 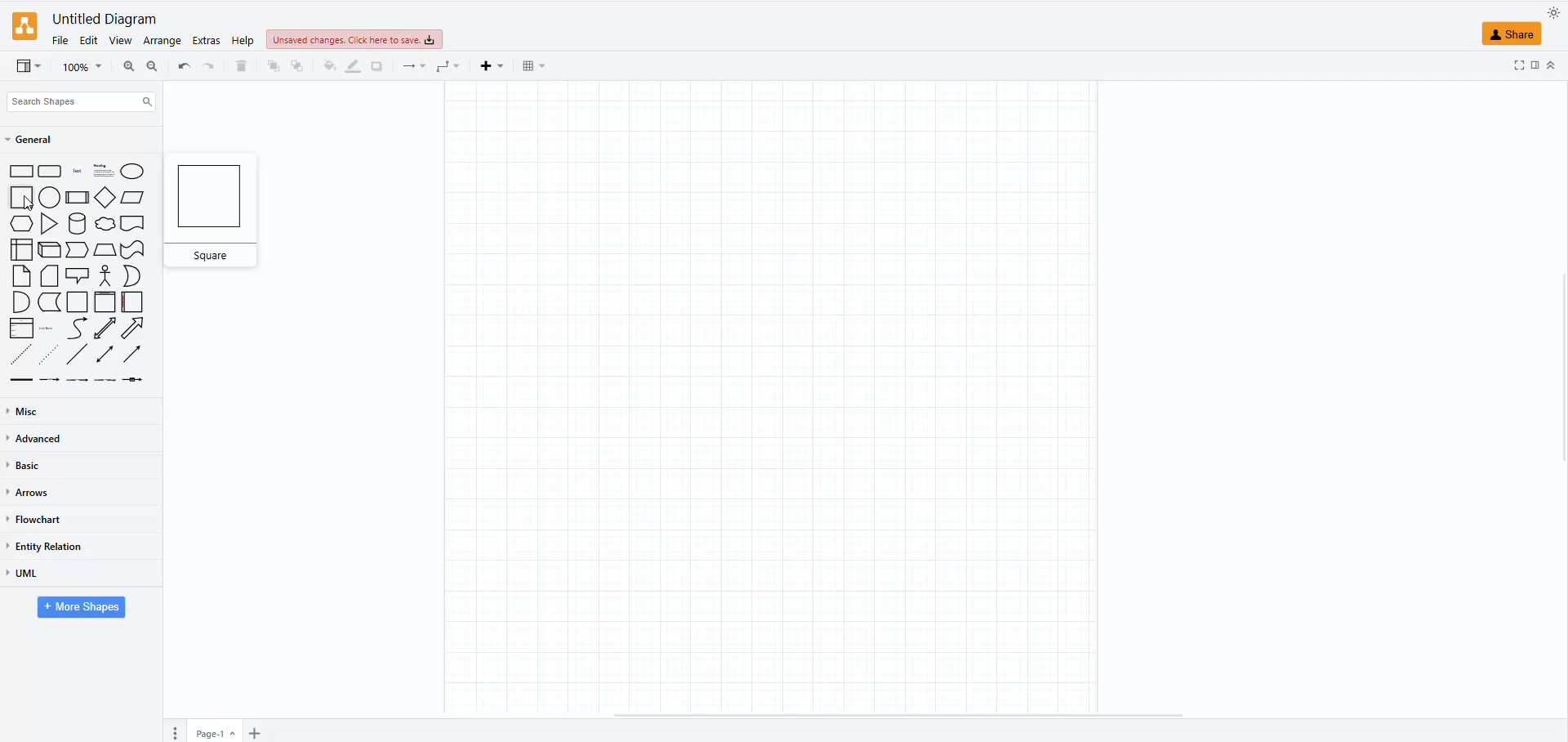 I want to click on heading, so click(x=102, y=171).